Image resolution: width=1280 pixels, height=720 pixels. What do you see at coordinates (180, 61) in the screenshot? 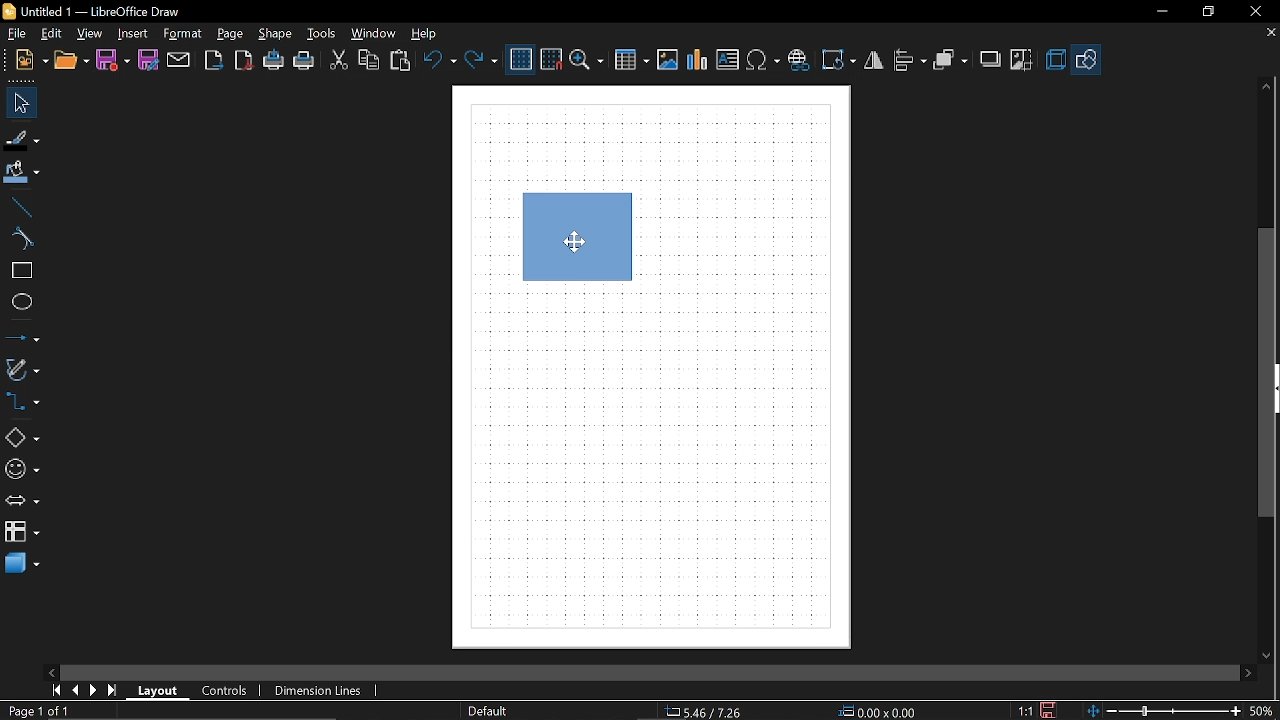
I see `Attach` at bounding box center [180, 61].